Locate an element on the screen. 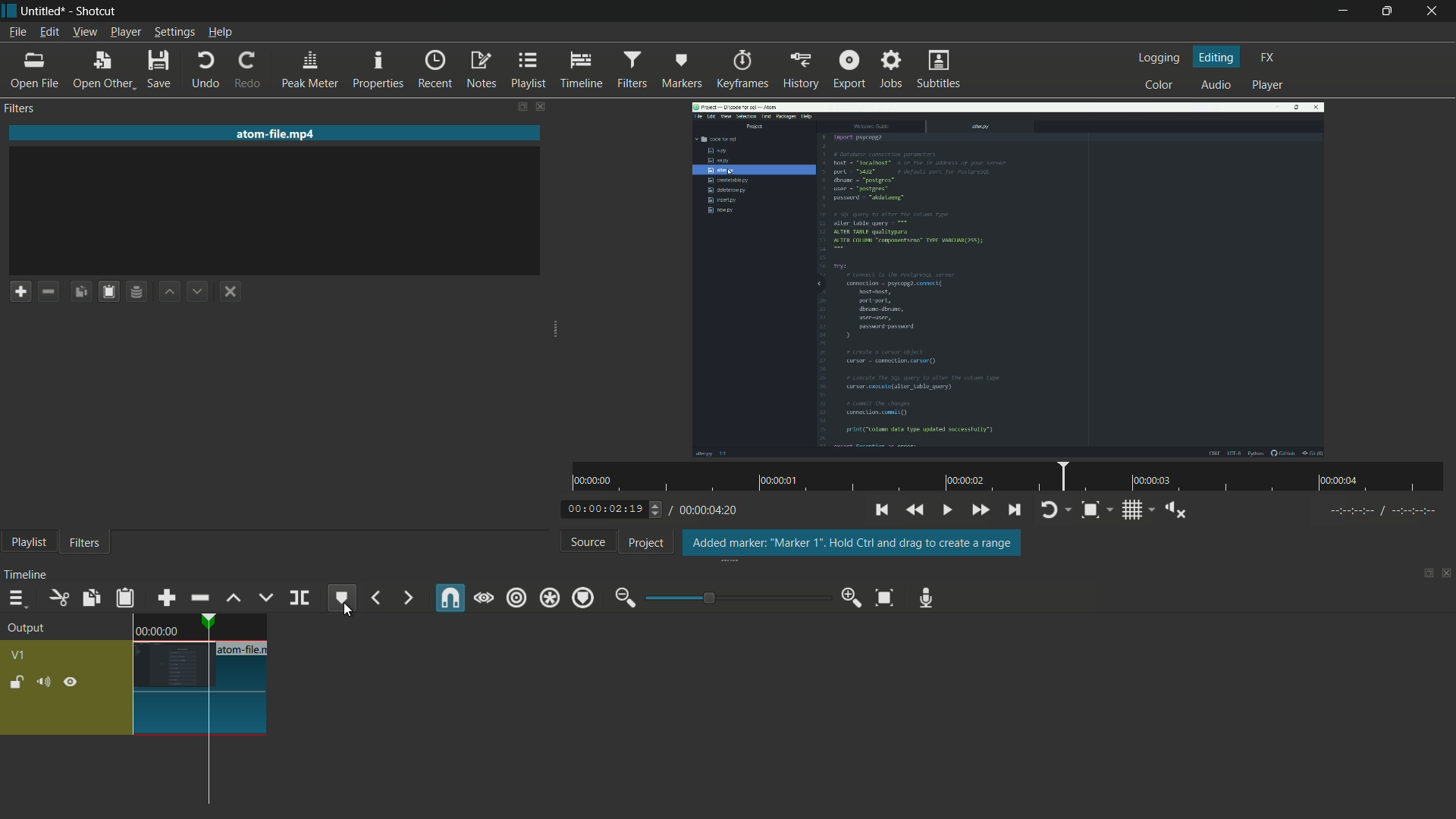 Image resolution: width=1456 pixels, height=819 pixels. v1 is located at coordinates (19, 656).